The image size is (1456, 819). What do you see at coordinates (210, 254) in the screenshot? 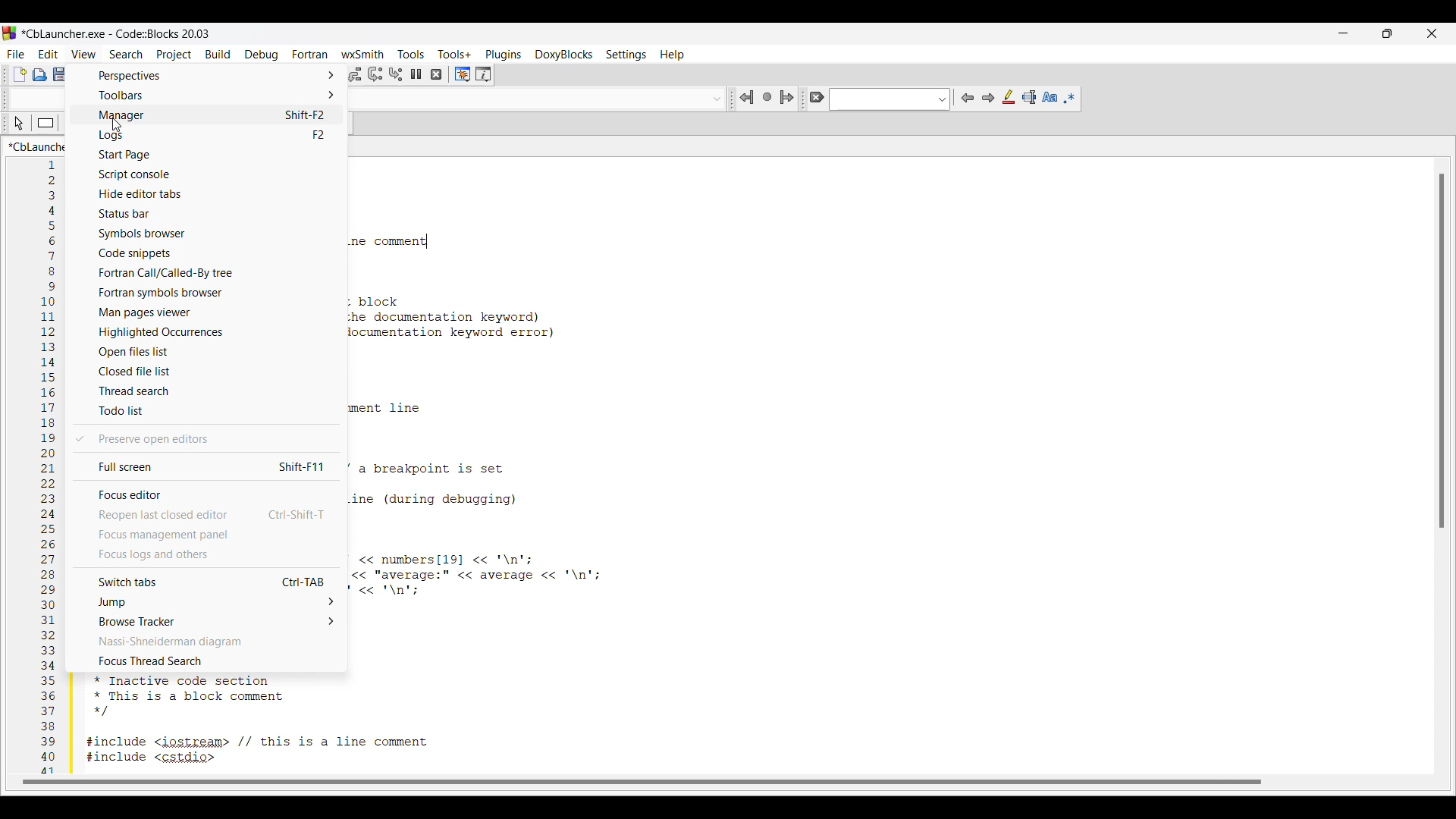
I see `Code snippets` at bounding box center [210, 254].